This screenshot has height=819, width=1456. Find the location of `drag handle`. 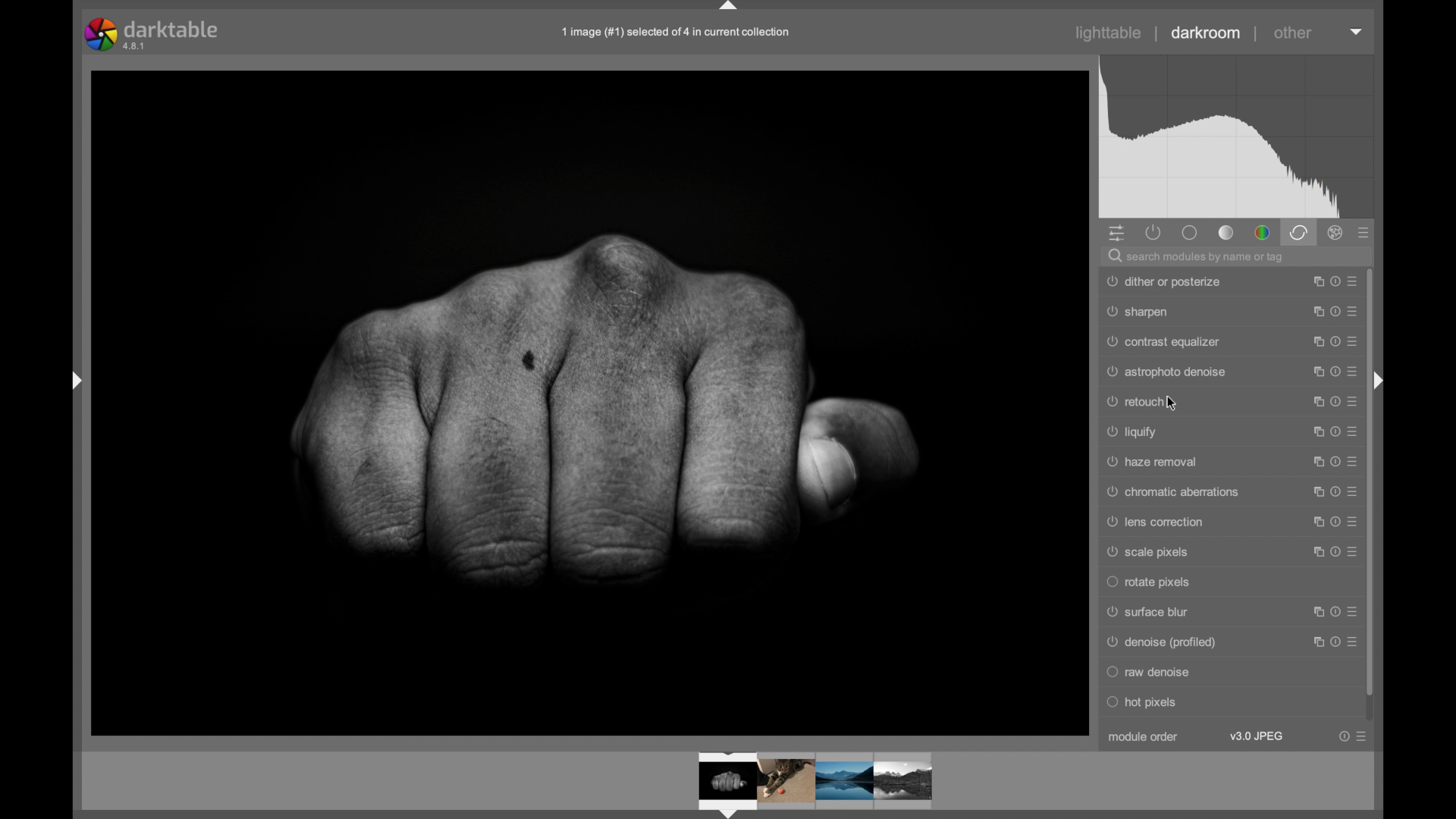

drag handle is located at coordinates (76, 381).